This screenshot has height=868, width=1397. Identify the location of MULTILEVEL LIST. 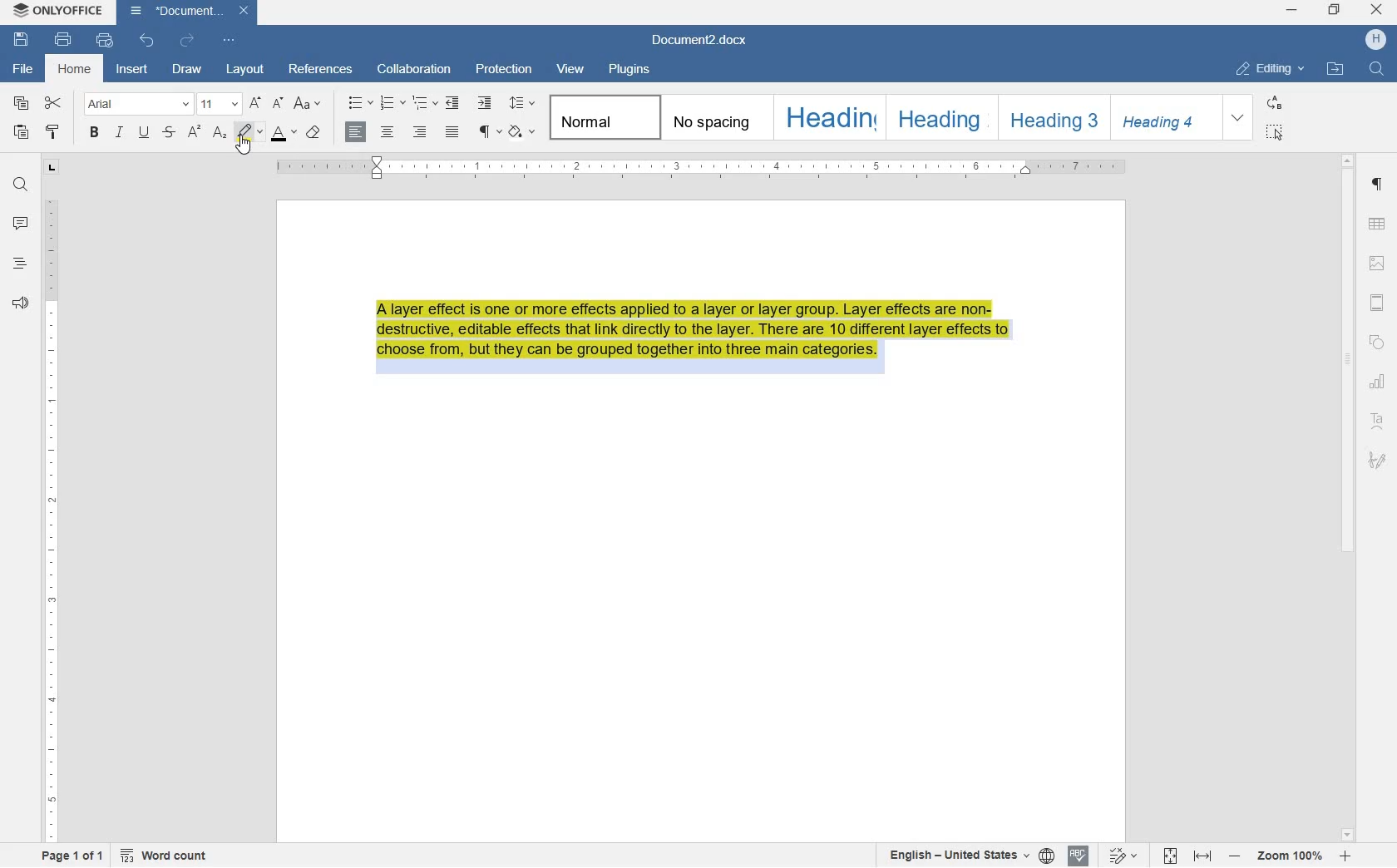
(425, 104).